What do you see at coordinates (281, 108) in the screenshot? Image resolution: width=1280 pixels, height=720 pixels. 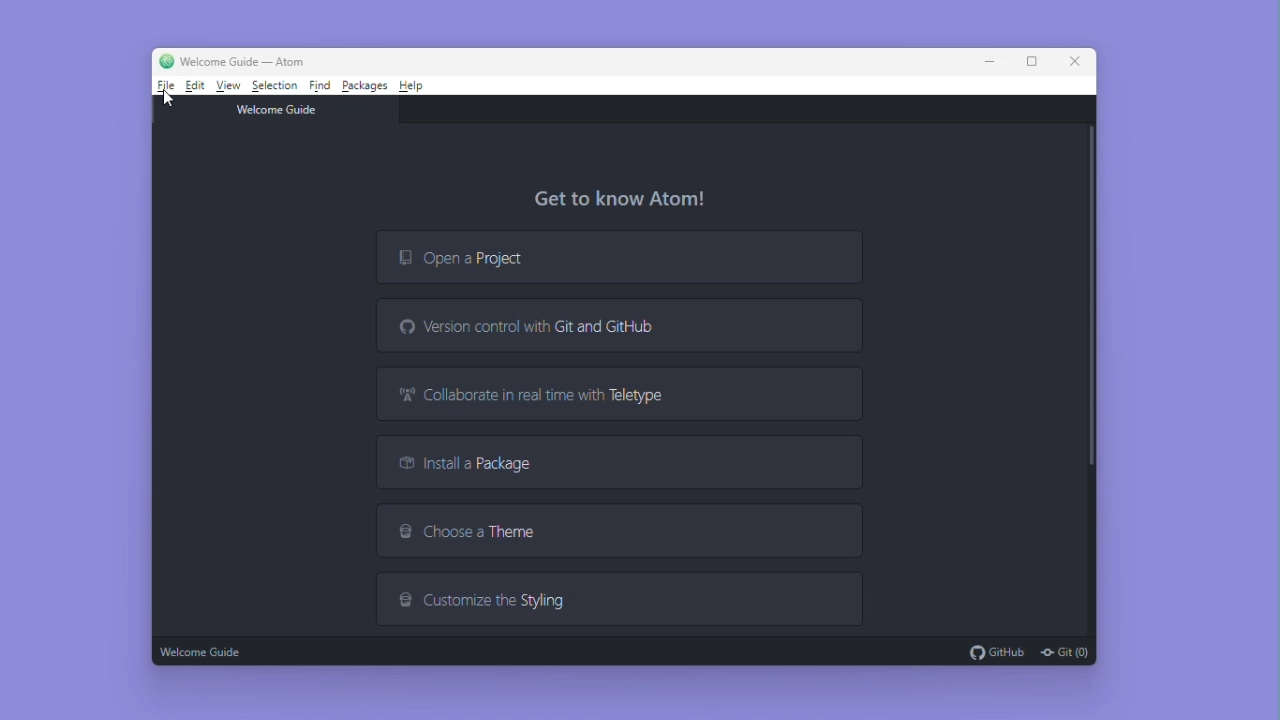 I see `welcome guide` at bounding box center [281, 108].